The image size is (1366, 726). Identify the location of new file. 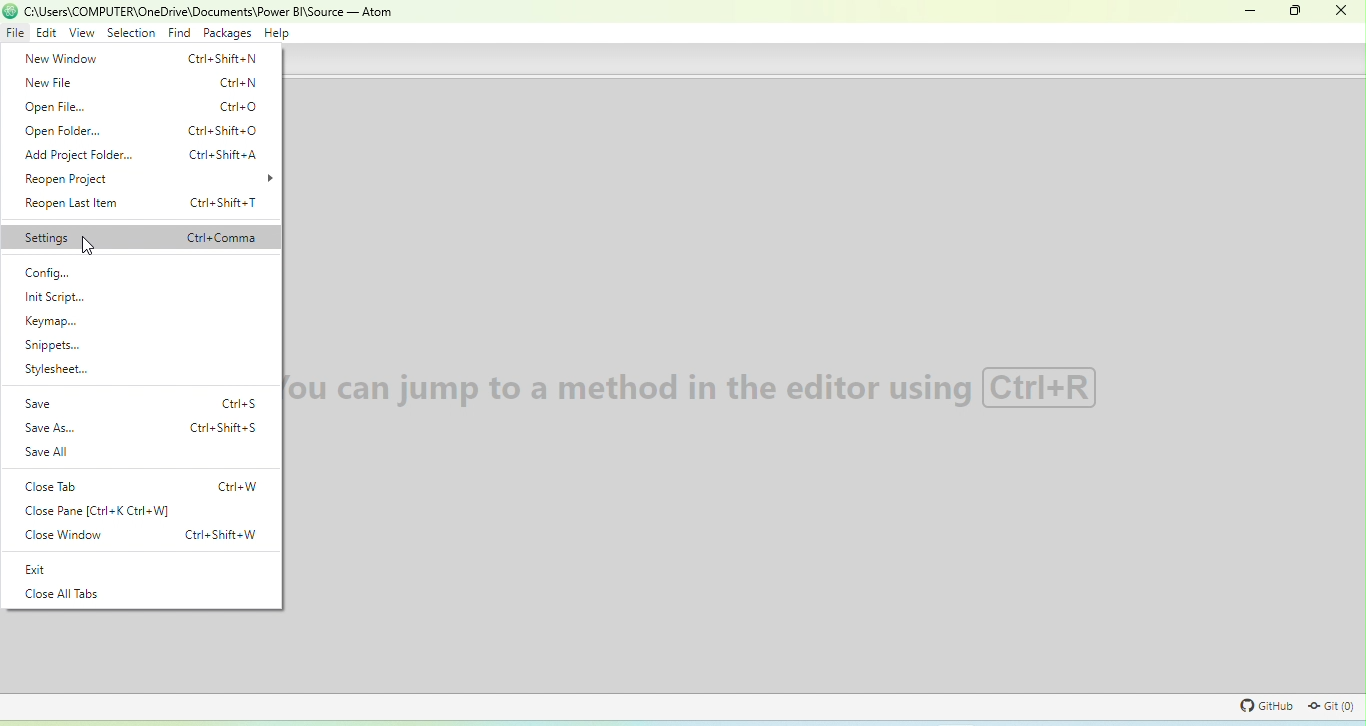
(141, 83).